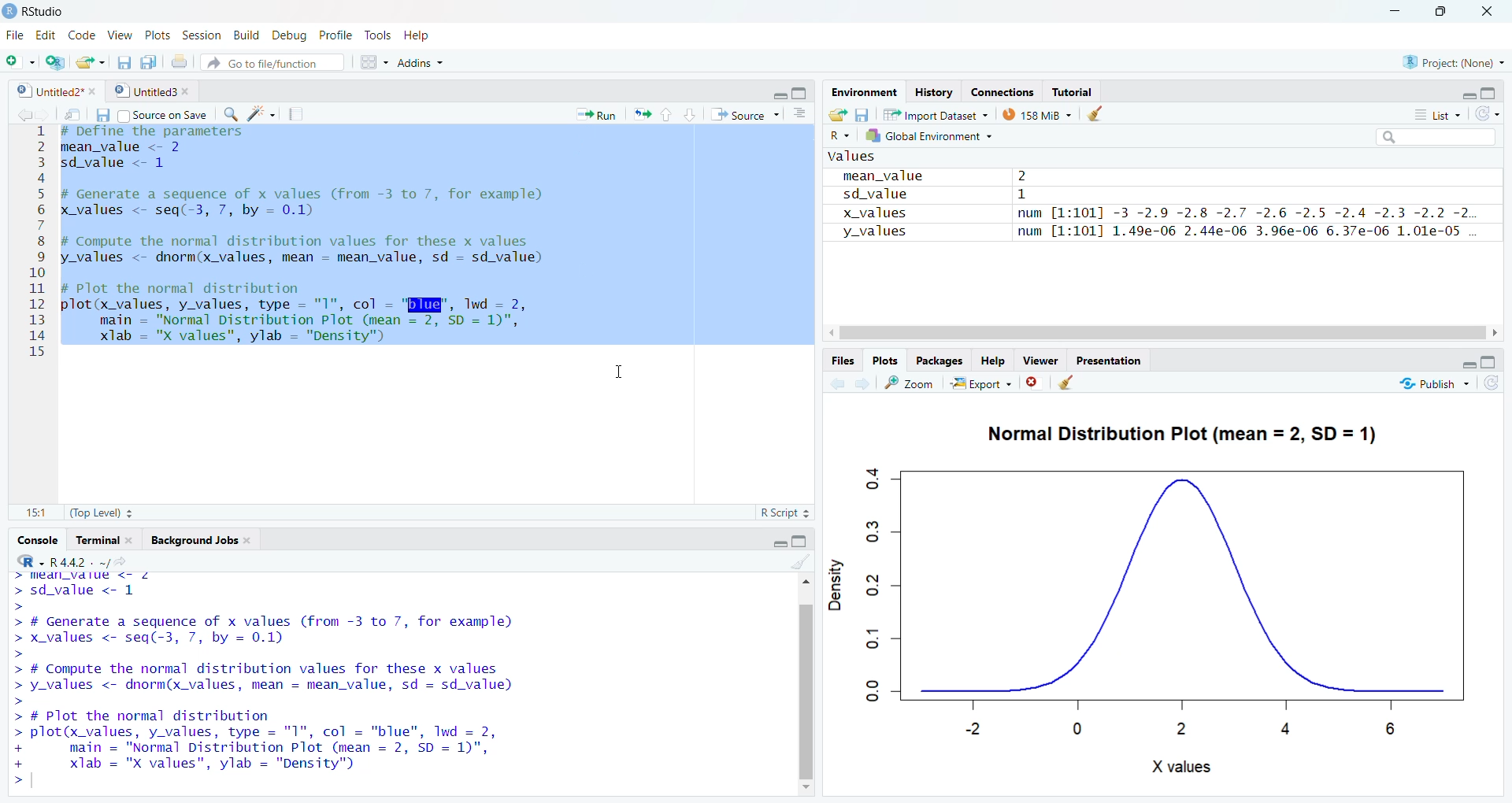 This screenshot has width=1512, height=803. I want to click on maximize/minimize, so click(798, 538).